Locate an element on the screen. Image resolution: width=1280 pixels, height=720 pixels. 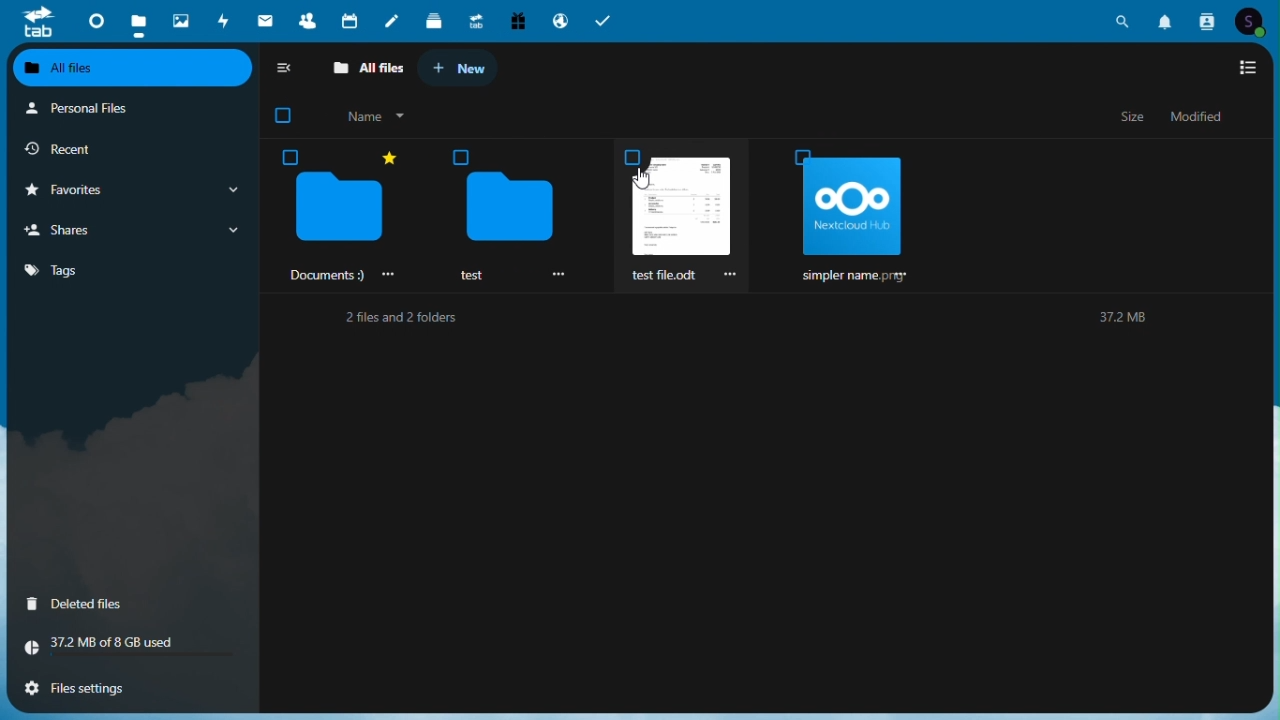
tab is located at coordinates (36, 23).